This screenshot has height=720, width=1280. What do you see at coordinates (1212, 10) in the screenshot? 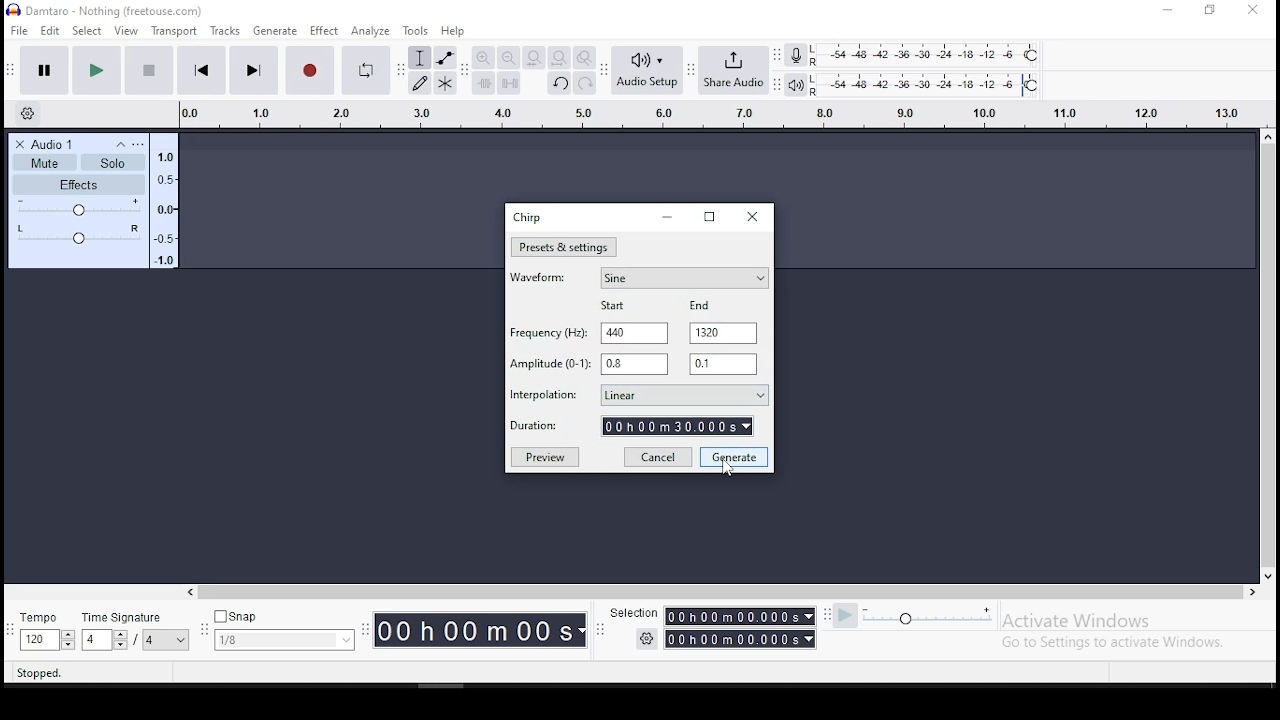
I see `restore` at bounding box center [1212, 10].